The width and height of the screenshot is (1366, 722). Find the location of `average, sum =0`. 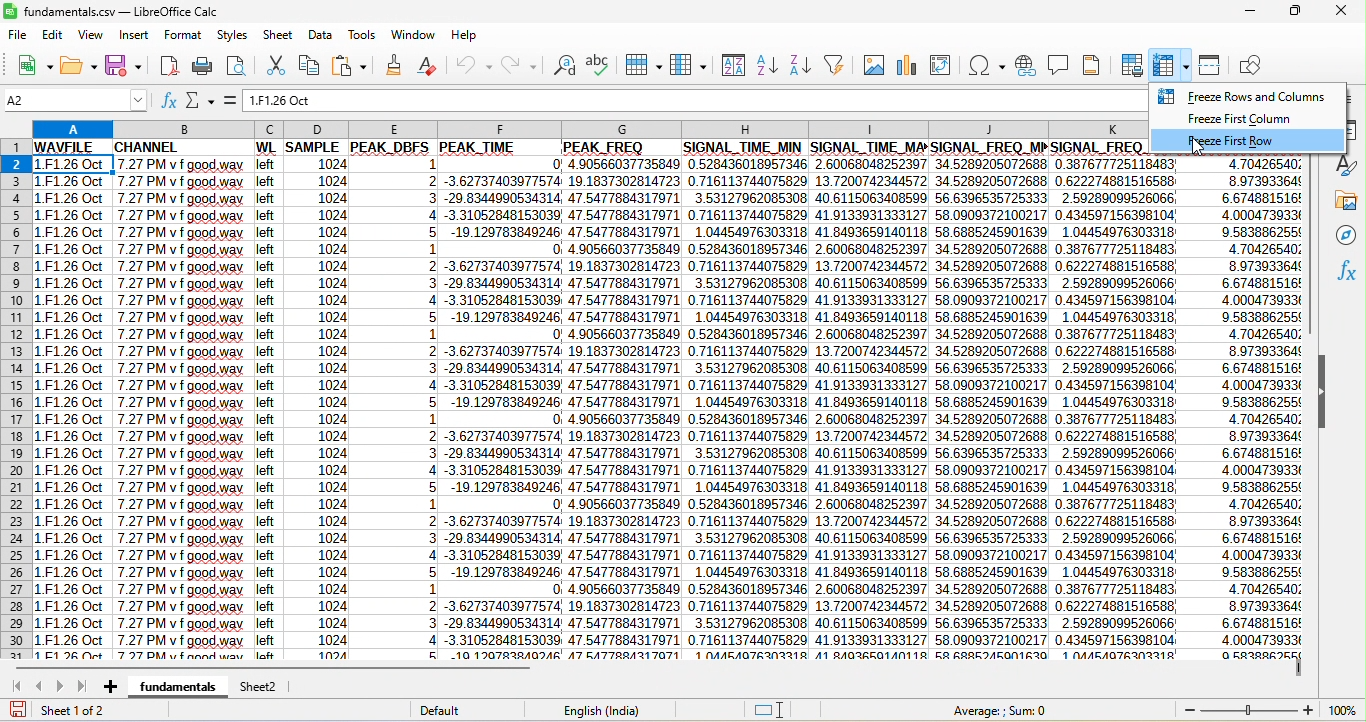

average, sum =0 is located at coordinates (1009, 709).